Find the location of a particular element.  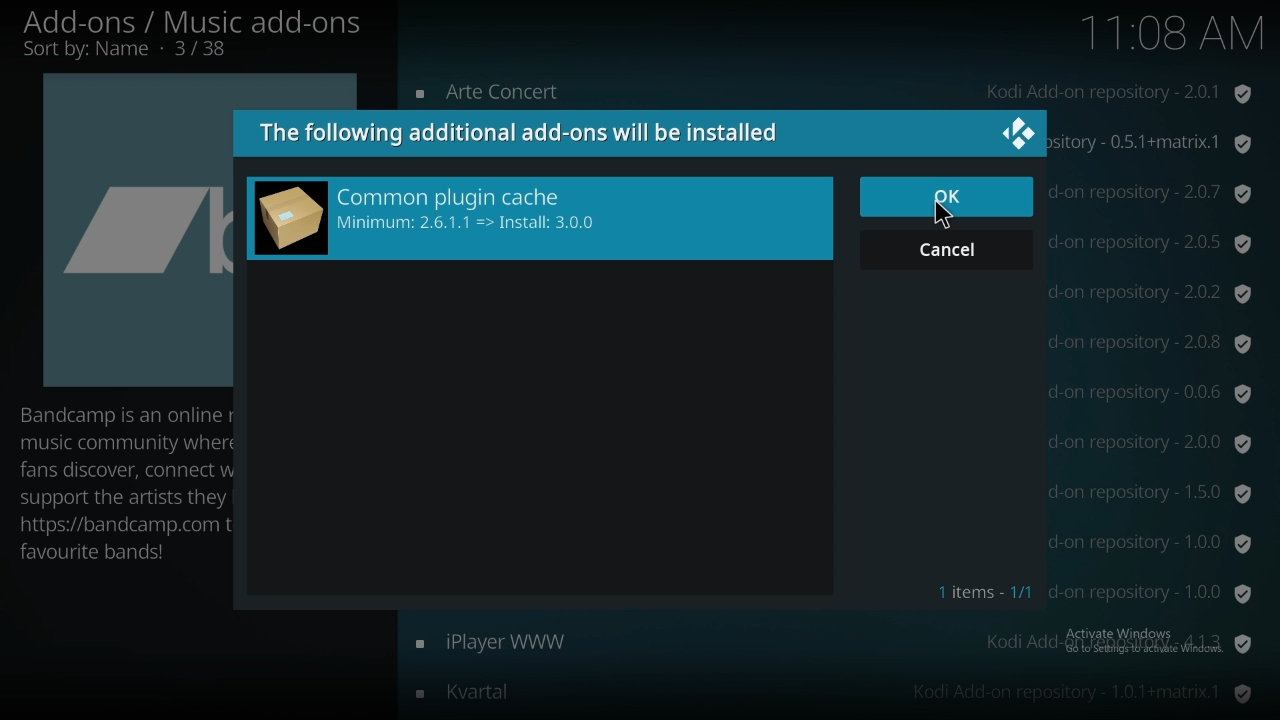

music addons is located at coordinates (192, 35).